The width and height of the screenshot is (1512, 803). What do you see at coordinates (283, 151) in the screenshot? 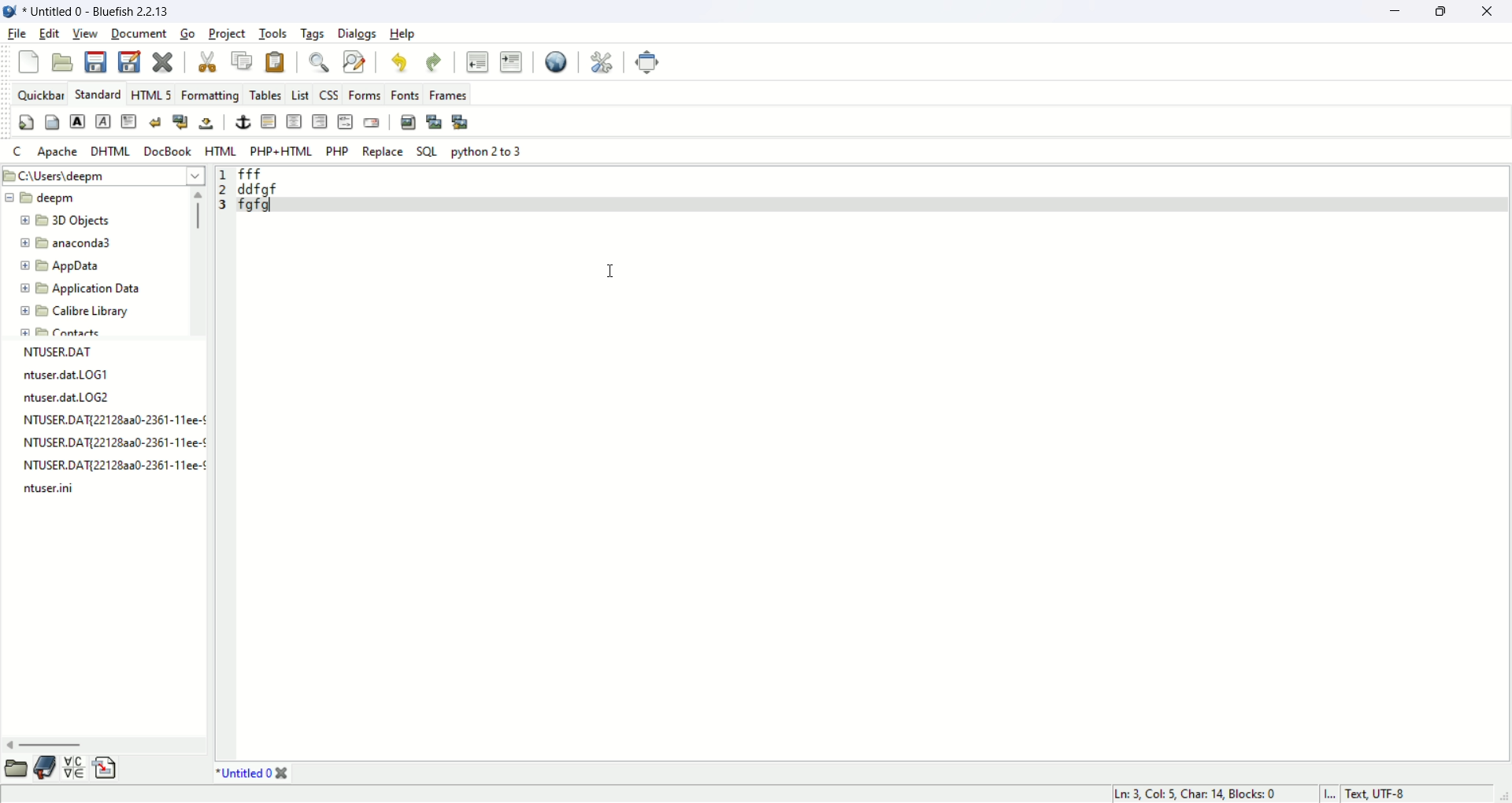
I see `PHP+HTML` at bounding box center [283, 151].